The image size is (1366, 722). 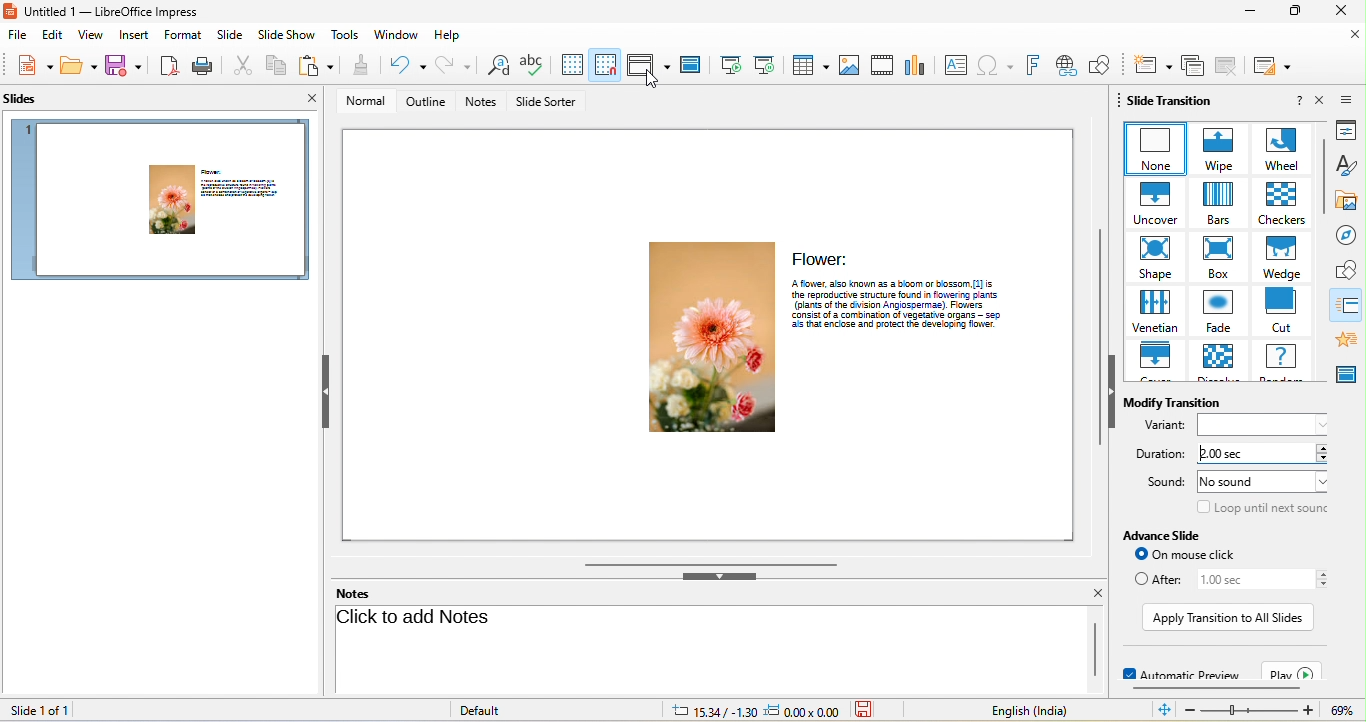 What do you see at coordinates (1282, 257) in the screenshot?
I see `wedge` at bounding box center [1282, 257].